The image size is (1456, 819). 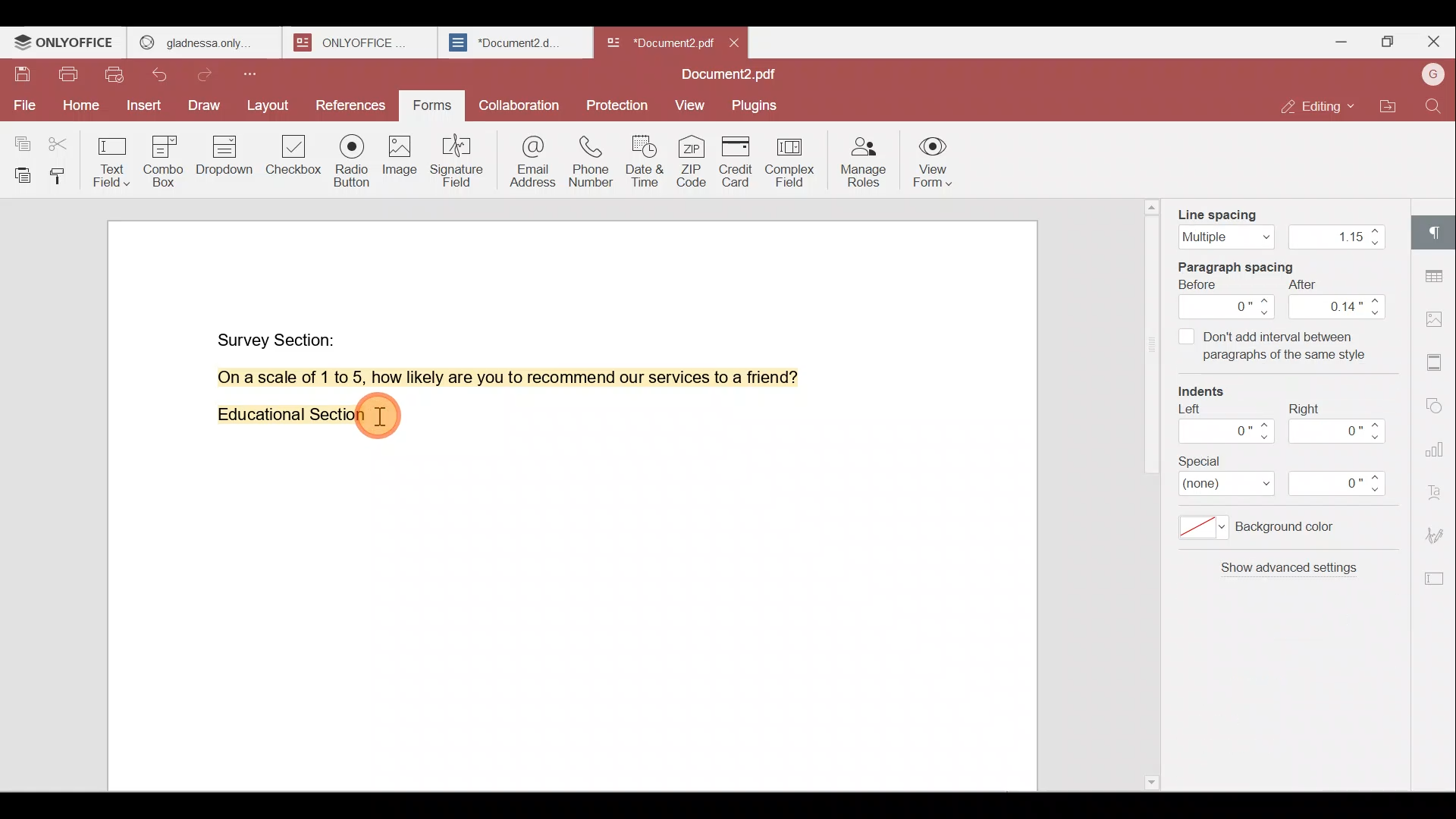 I want to click on Educational Section, so click(x=285, y=418).